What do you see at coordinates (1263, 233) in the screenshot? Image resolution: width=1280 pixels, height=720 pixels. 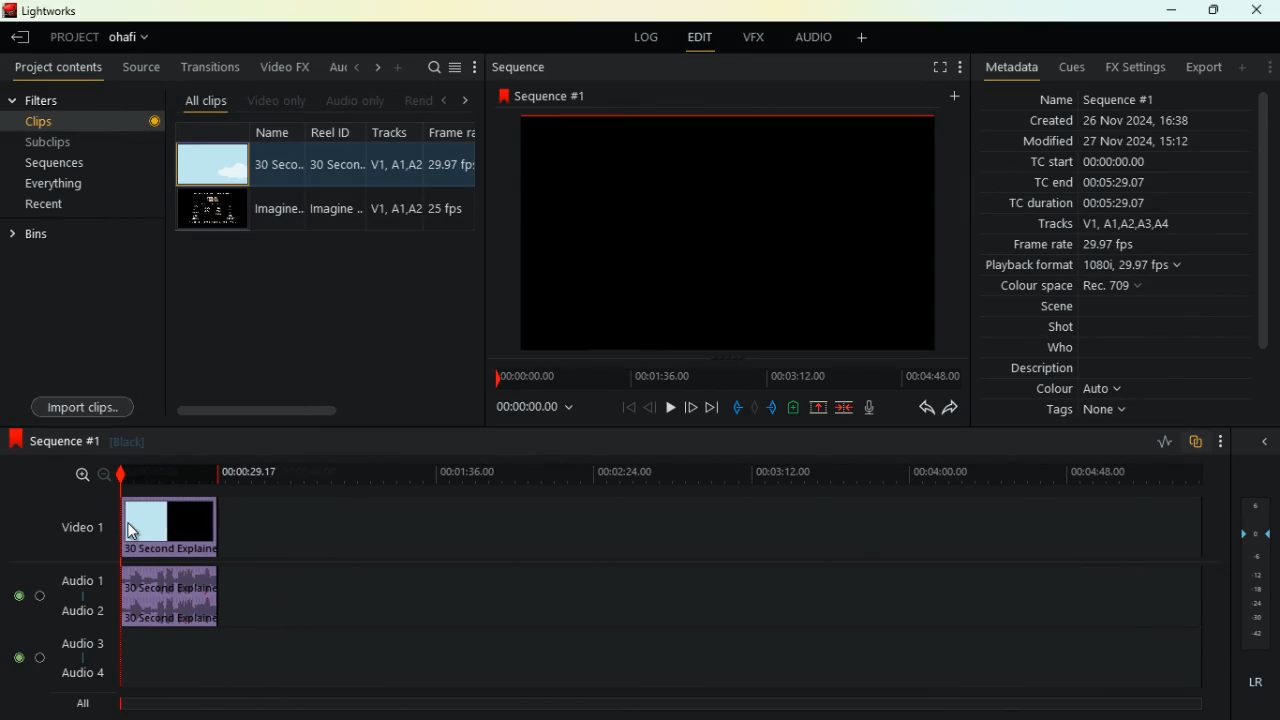 I see `vertical scroll bar` at bounding box center [1263, 233].